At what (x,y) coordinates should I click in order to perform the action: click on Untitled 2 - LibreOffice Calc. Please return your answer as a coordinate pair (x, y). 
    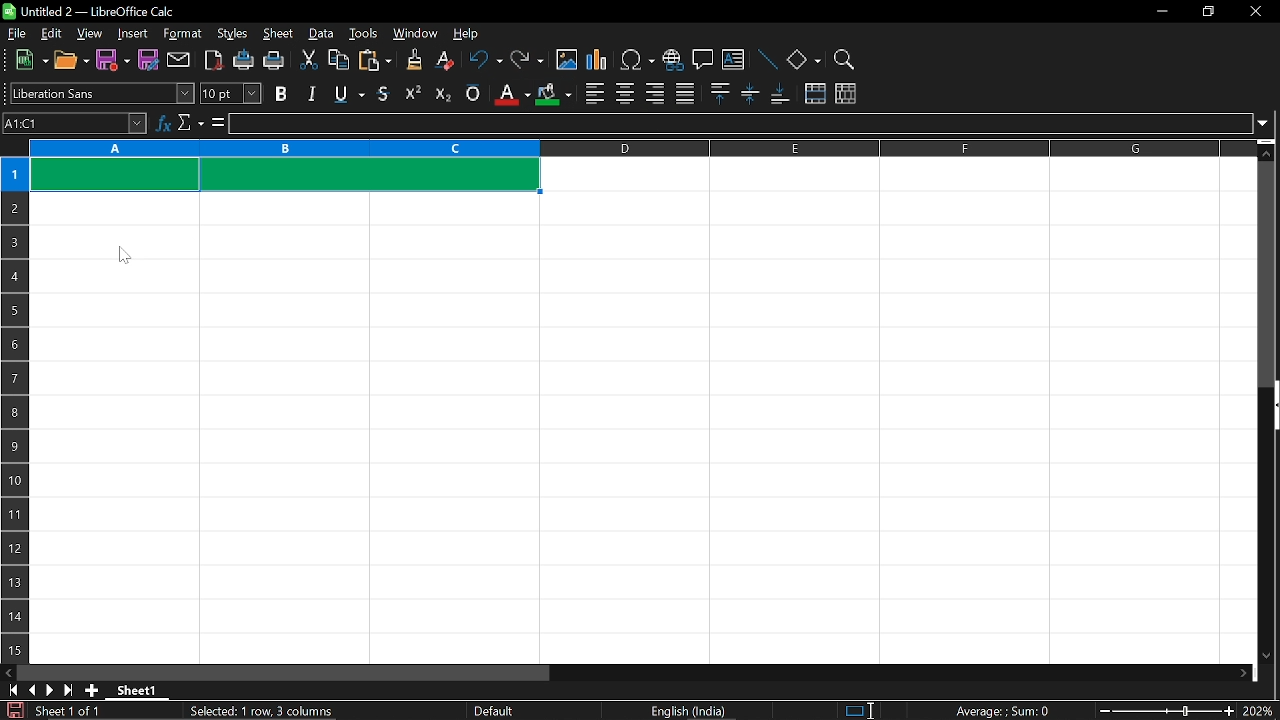
    Looking at the image, I should click on (90, 11).